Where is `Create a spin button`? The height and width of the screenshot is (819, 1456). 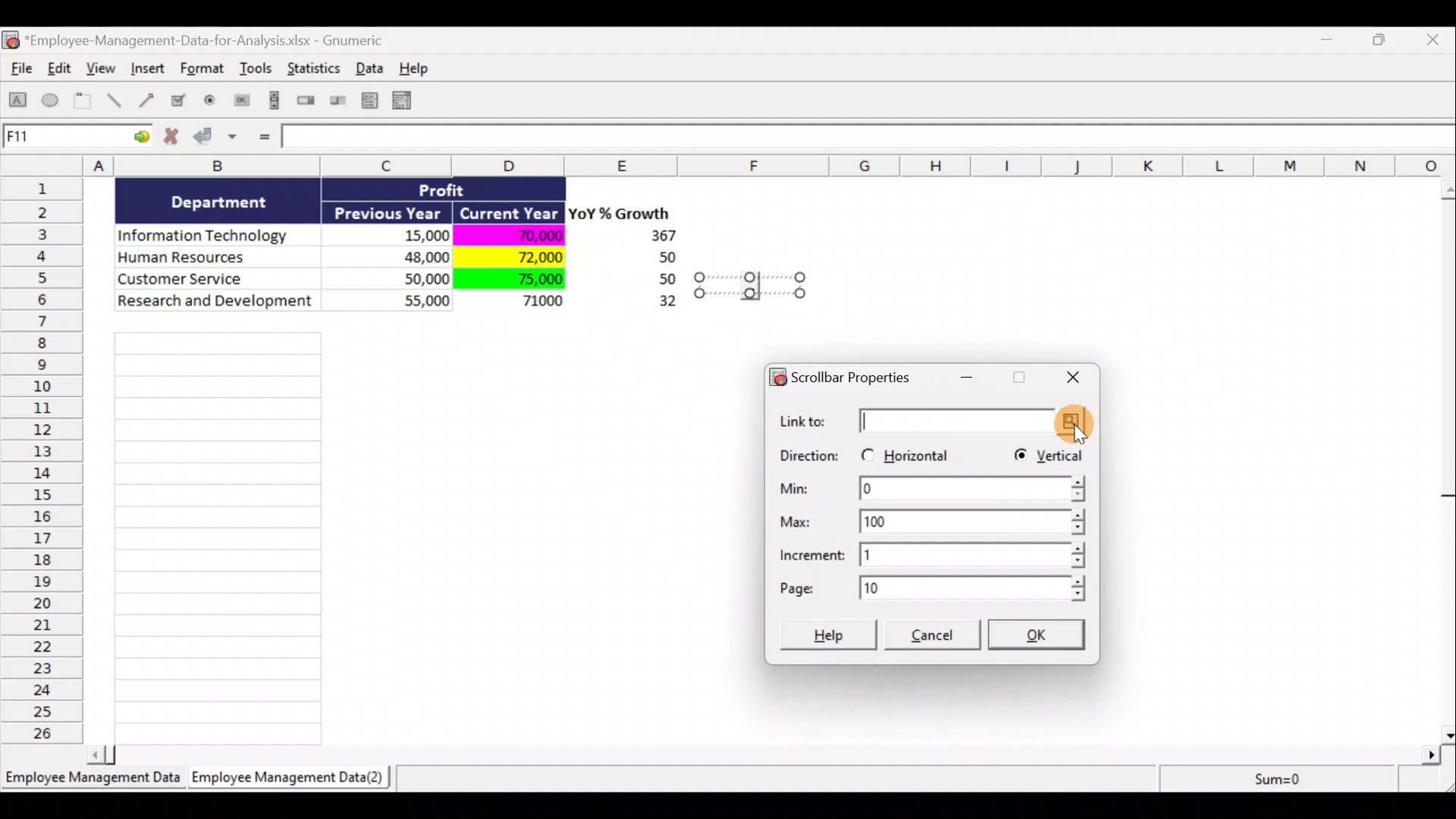
Create a spin button is located at coordinates (307, 102).